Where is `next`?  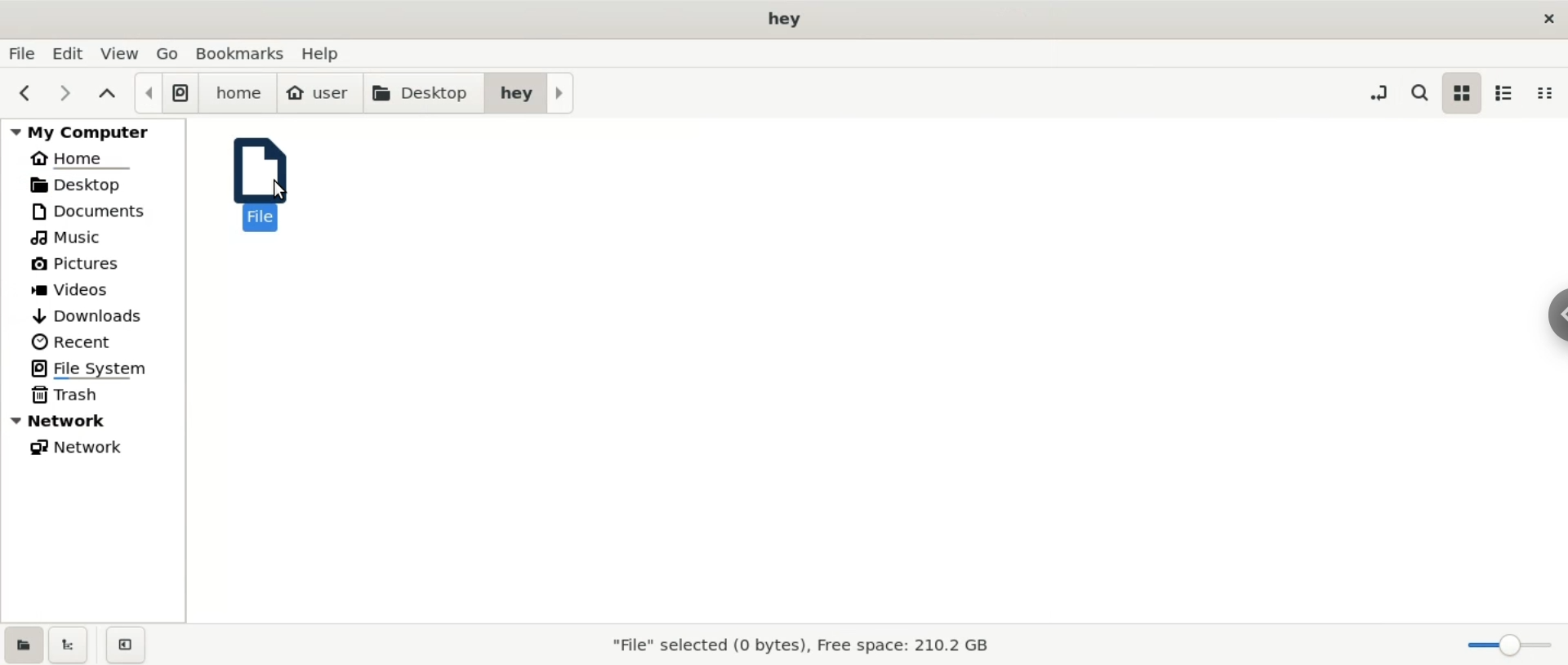
next is located at coordinates (66, 94).